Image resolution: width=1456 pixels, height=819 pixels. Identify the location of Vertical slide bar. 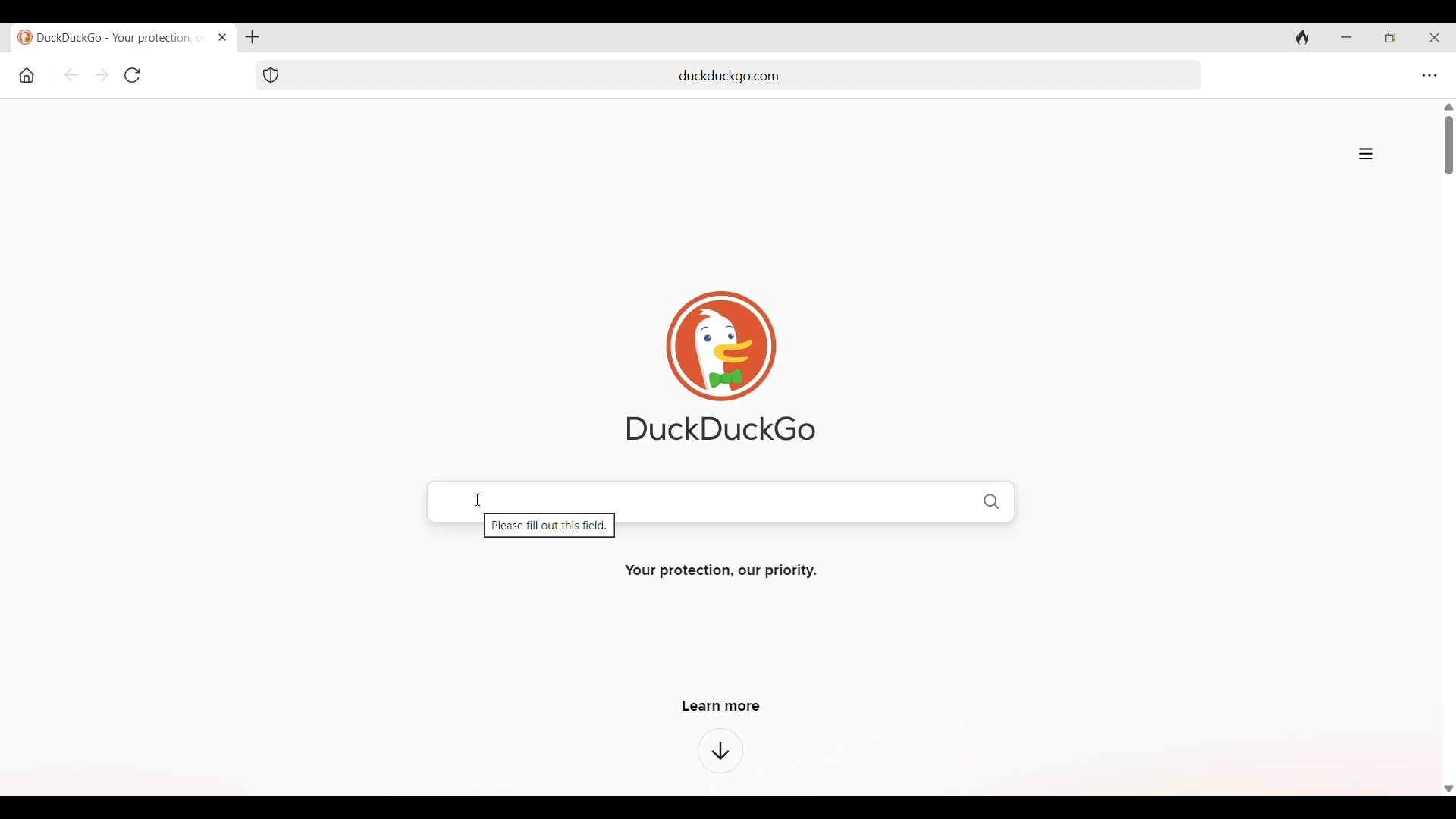
(1450, 145).